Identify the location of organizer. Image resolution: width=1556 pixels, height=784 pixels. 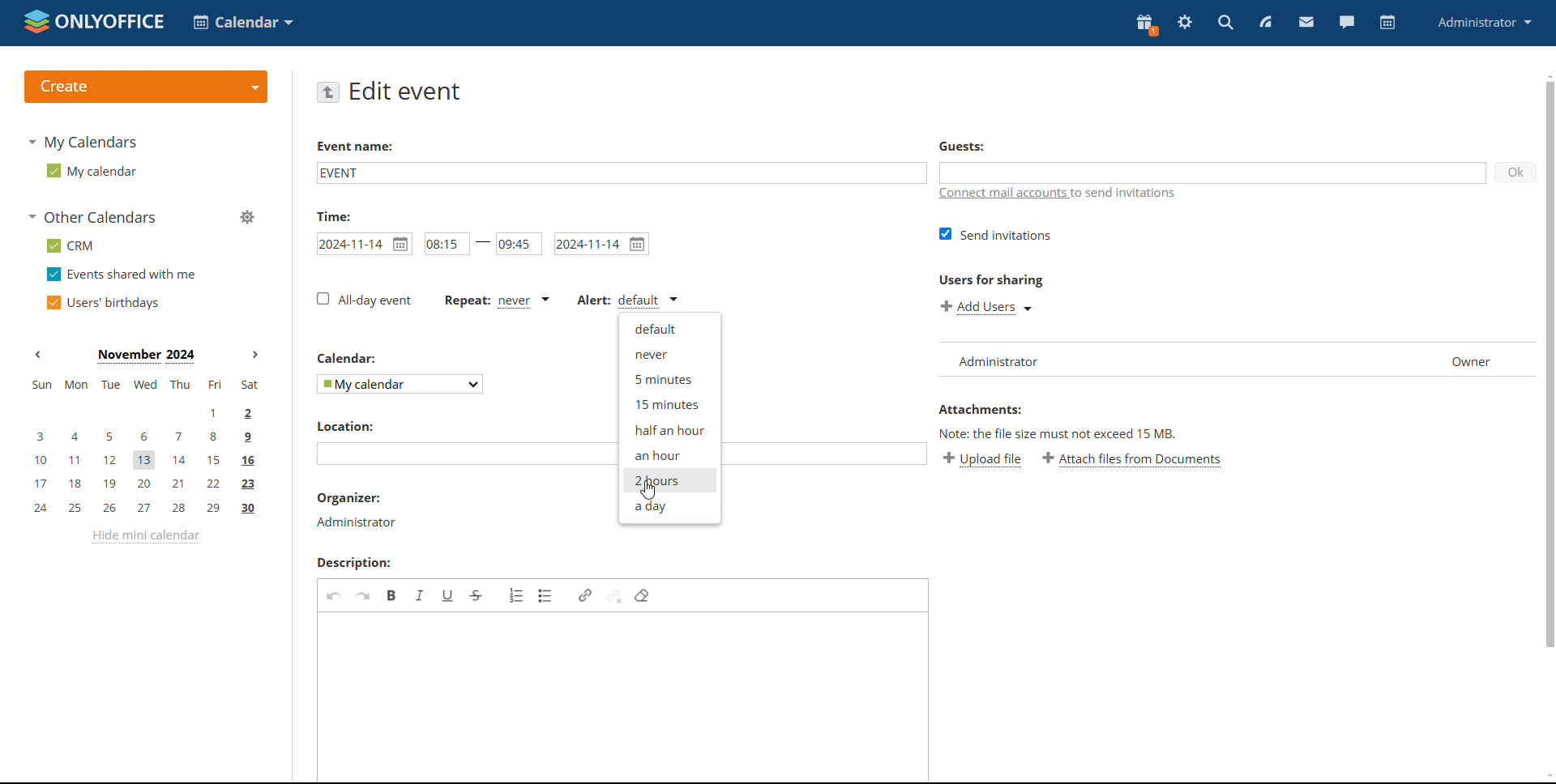
(357, 522).